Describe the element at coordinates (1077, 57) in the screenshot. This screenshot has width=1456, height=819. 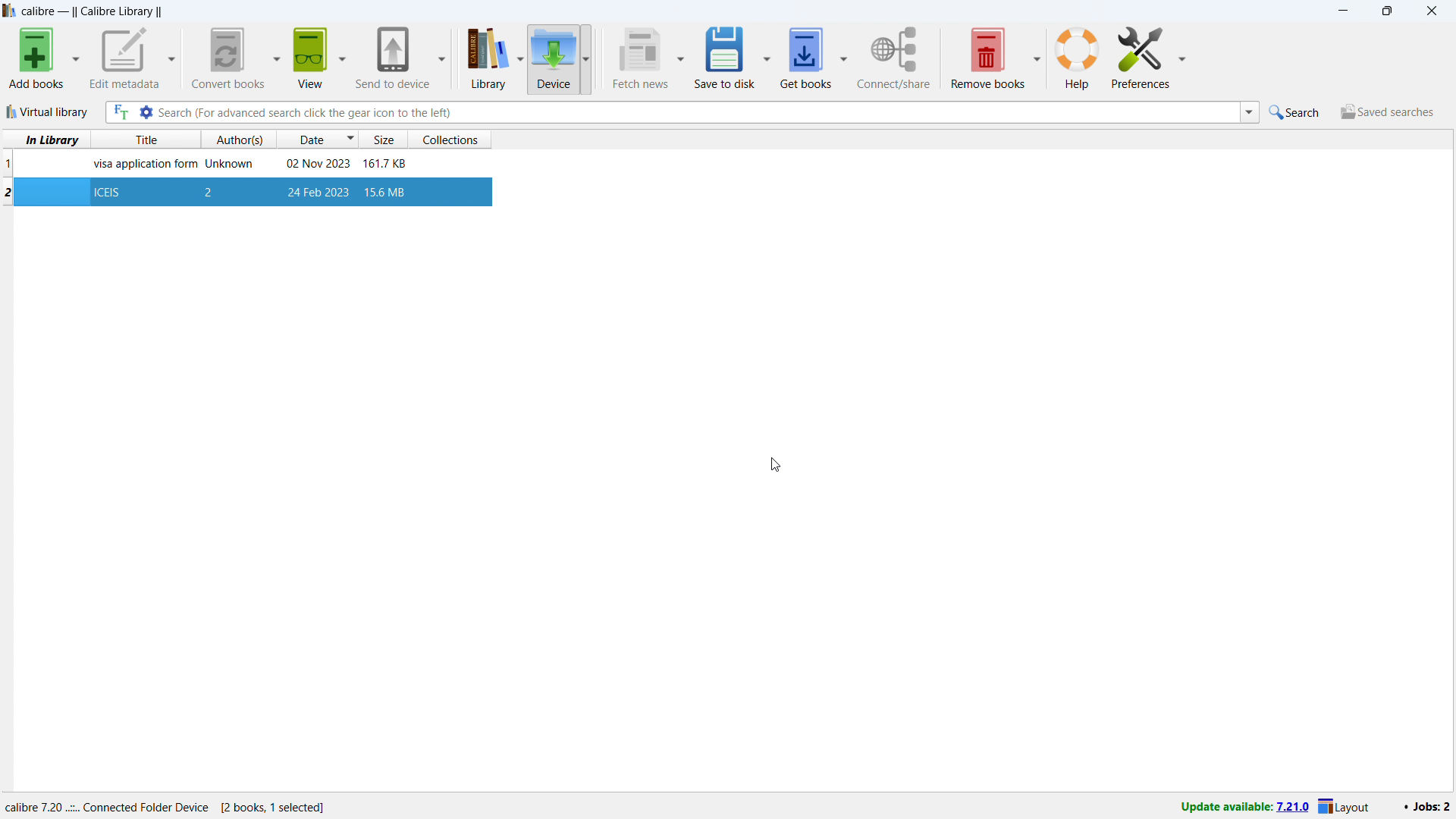
I see `help` at that location.